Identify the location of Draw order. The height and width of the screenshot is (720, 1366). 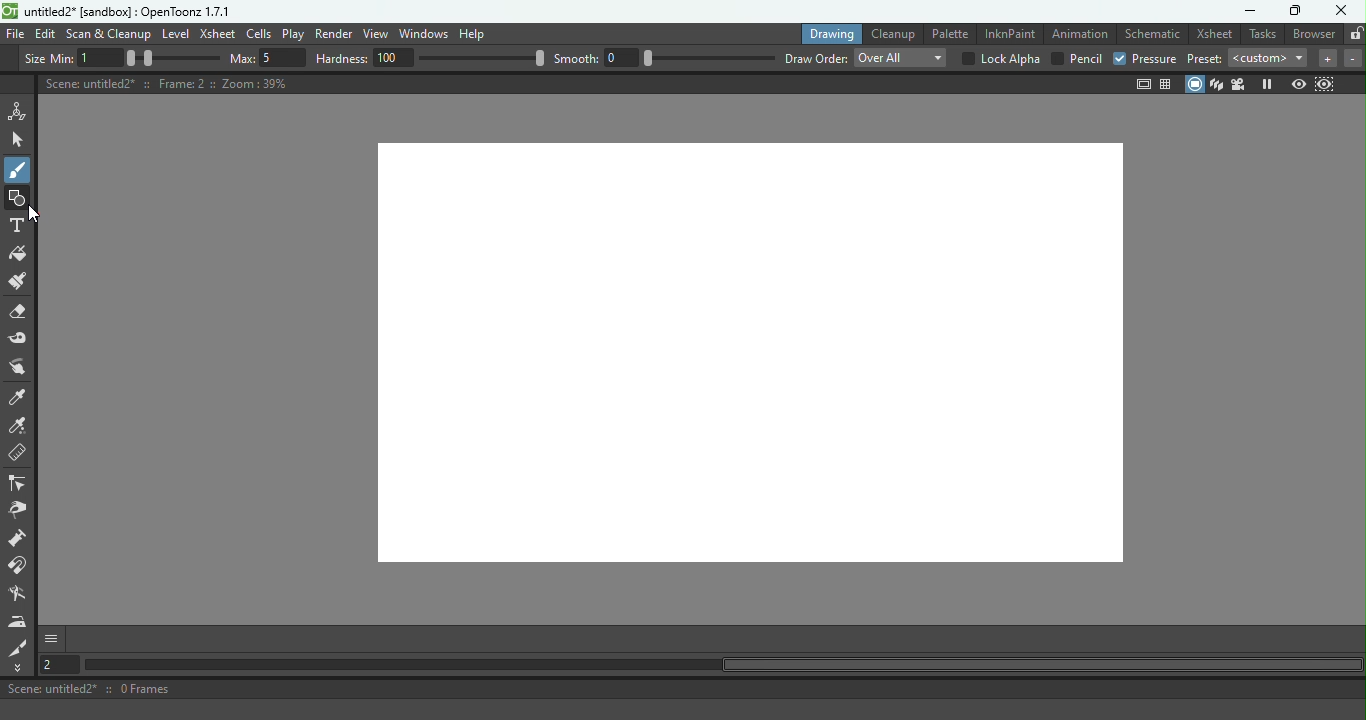
(864, 58).